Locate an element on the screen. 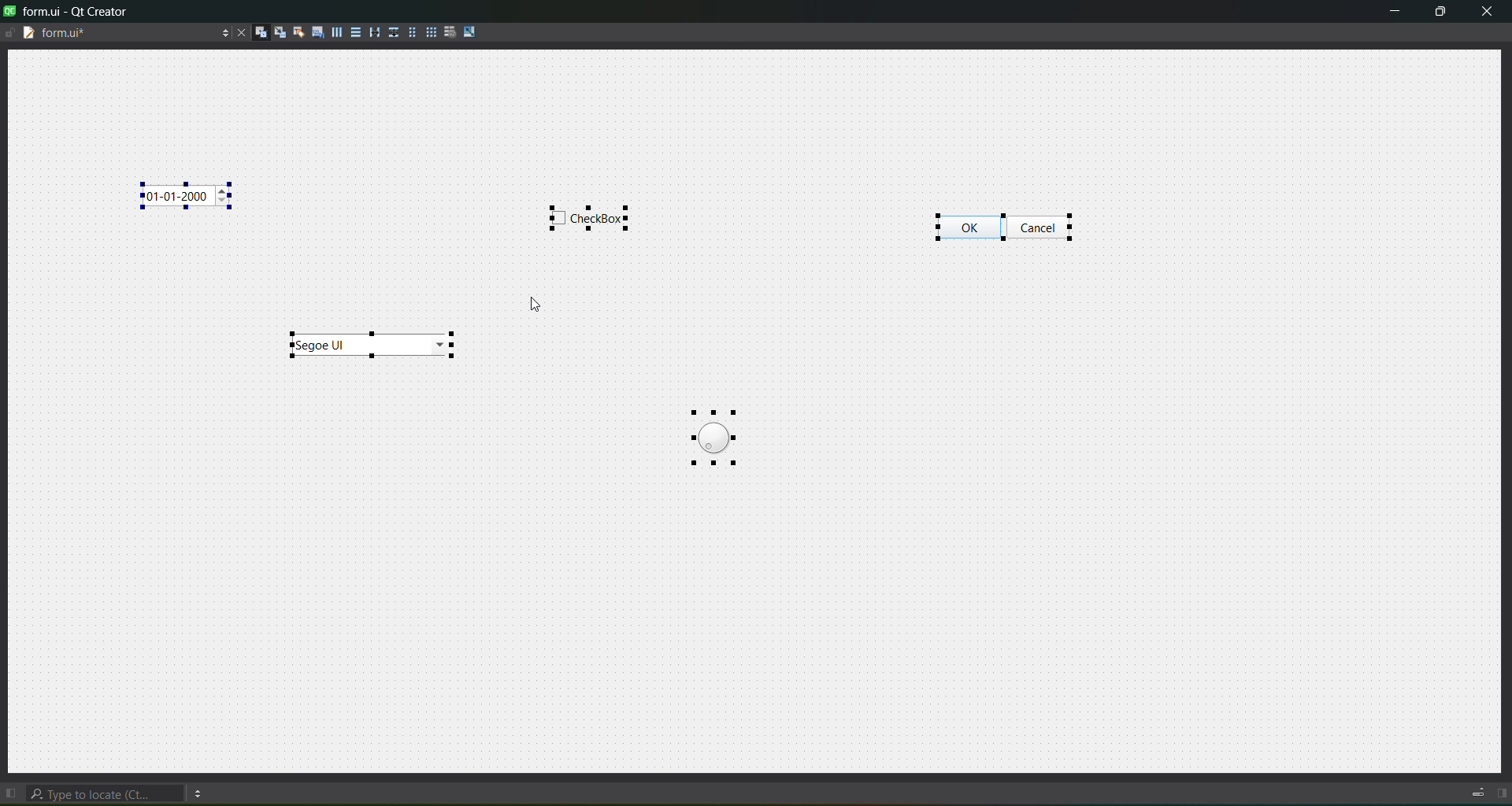 This screenshot has width=1512, height=806. edit buddies is located at coordinates (295, 31).